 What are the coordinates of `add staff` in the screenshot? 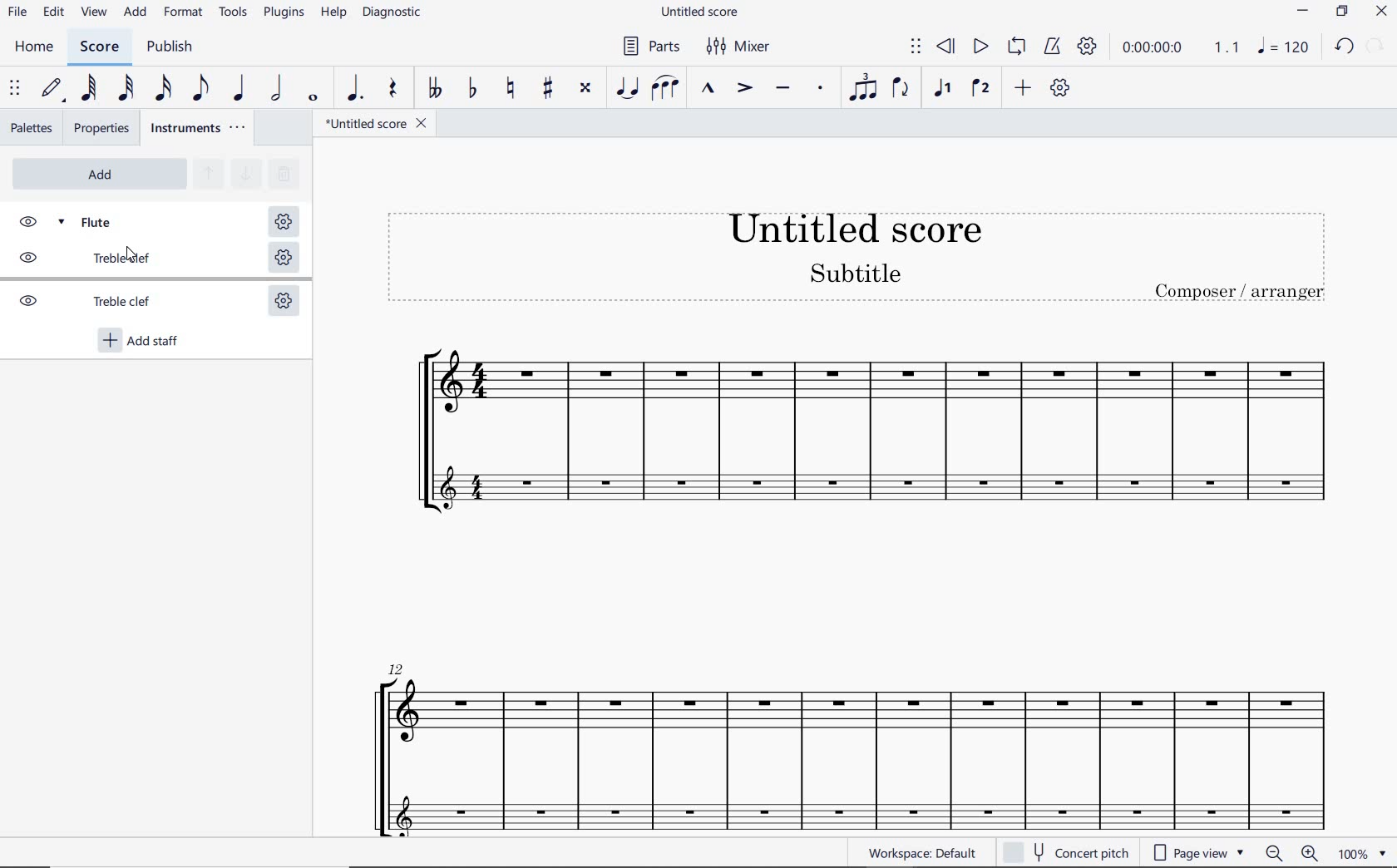 It's located at (141, 342).